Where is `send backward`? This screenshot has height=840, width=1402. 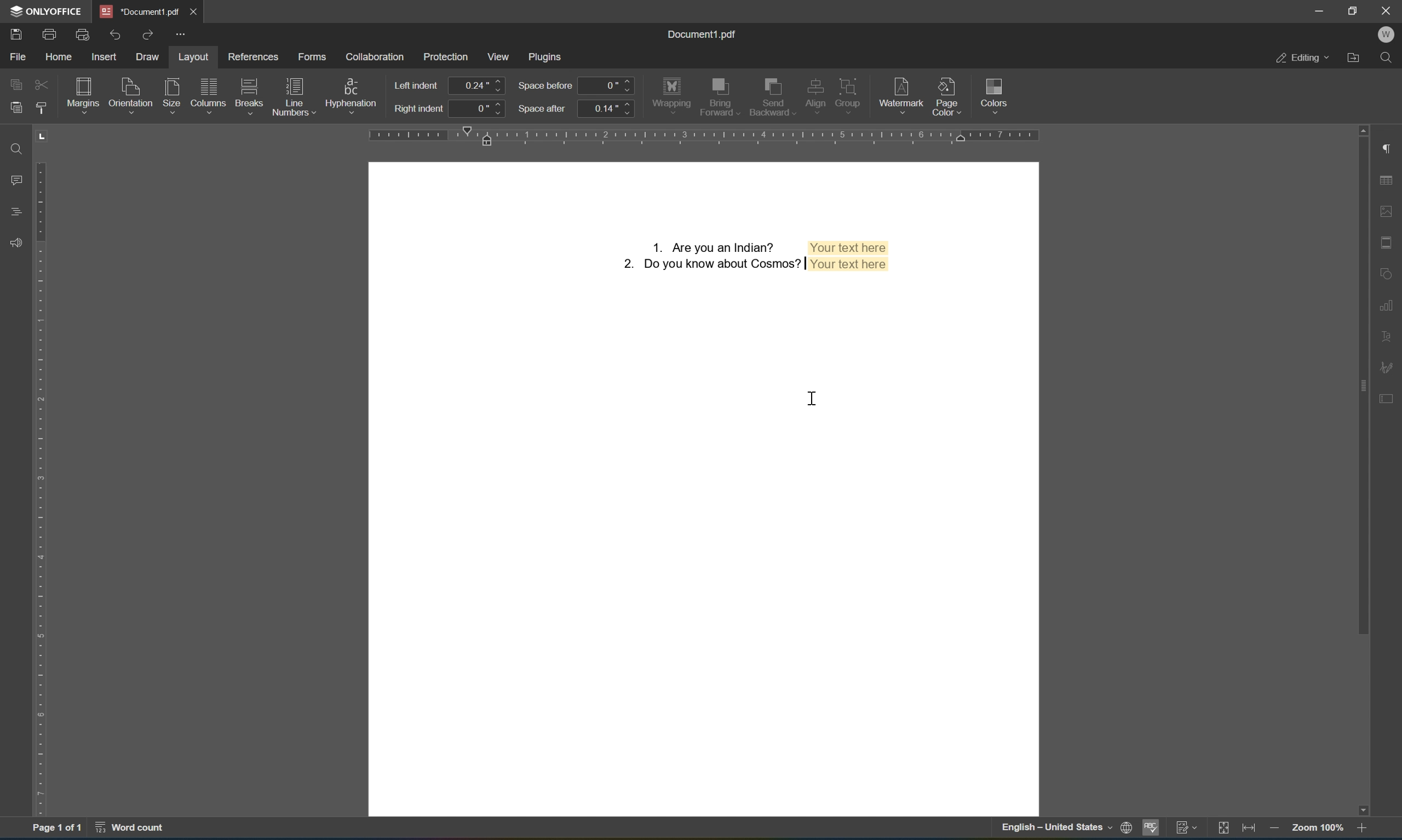
send backward is located at coordinates (772, 94).